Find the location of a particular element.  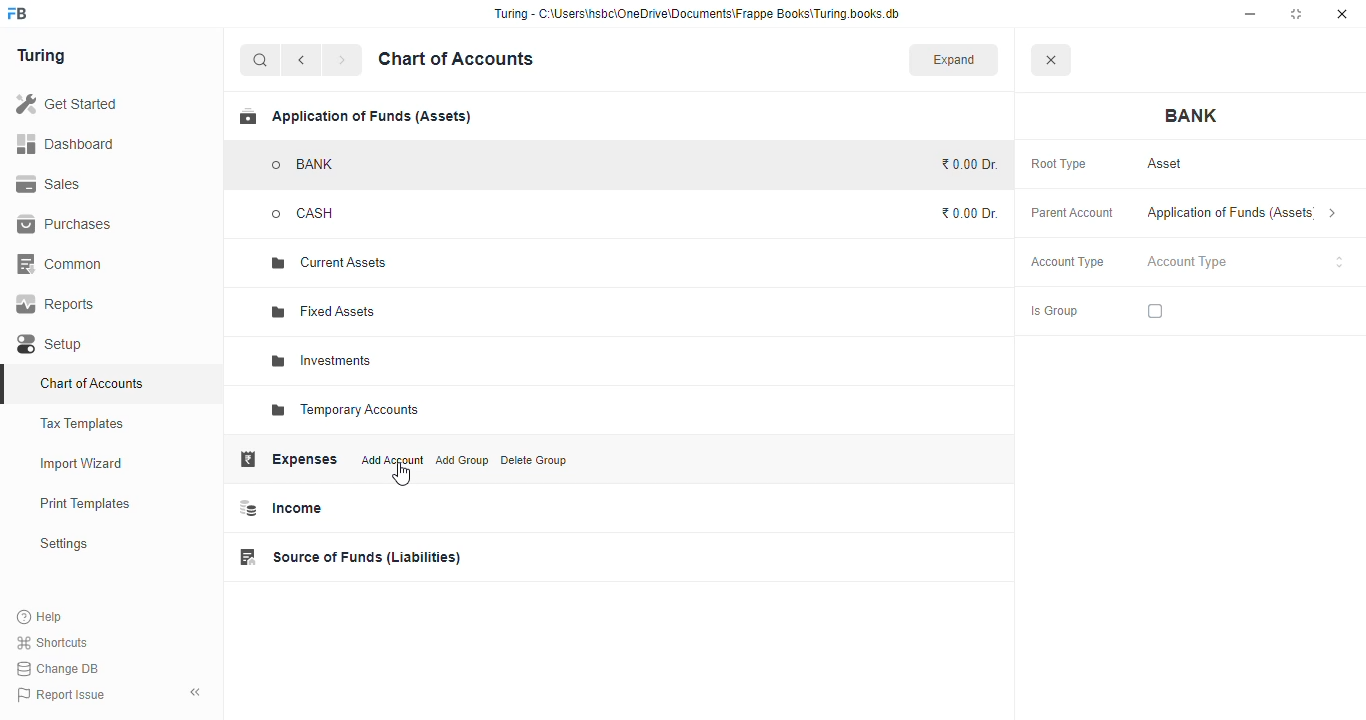

asset is located at coordinates (1166, 164).